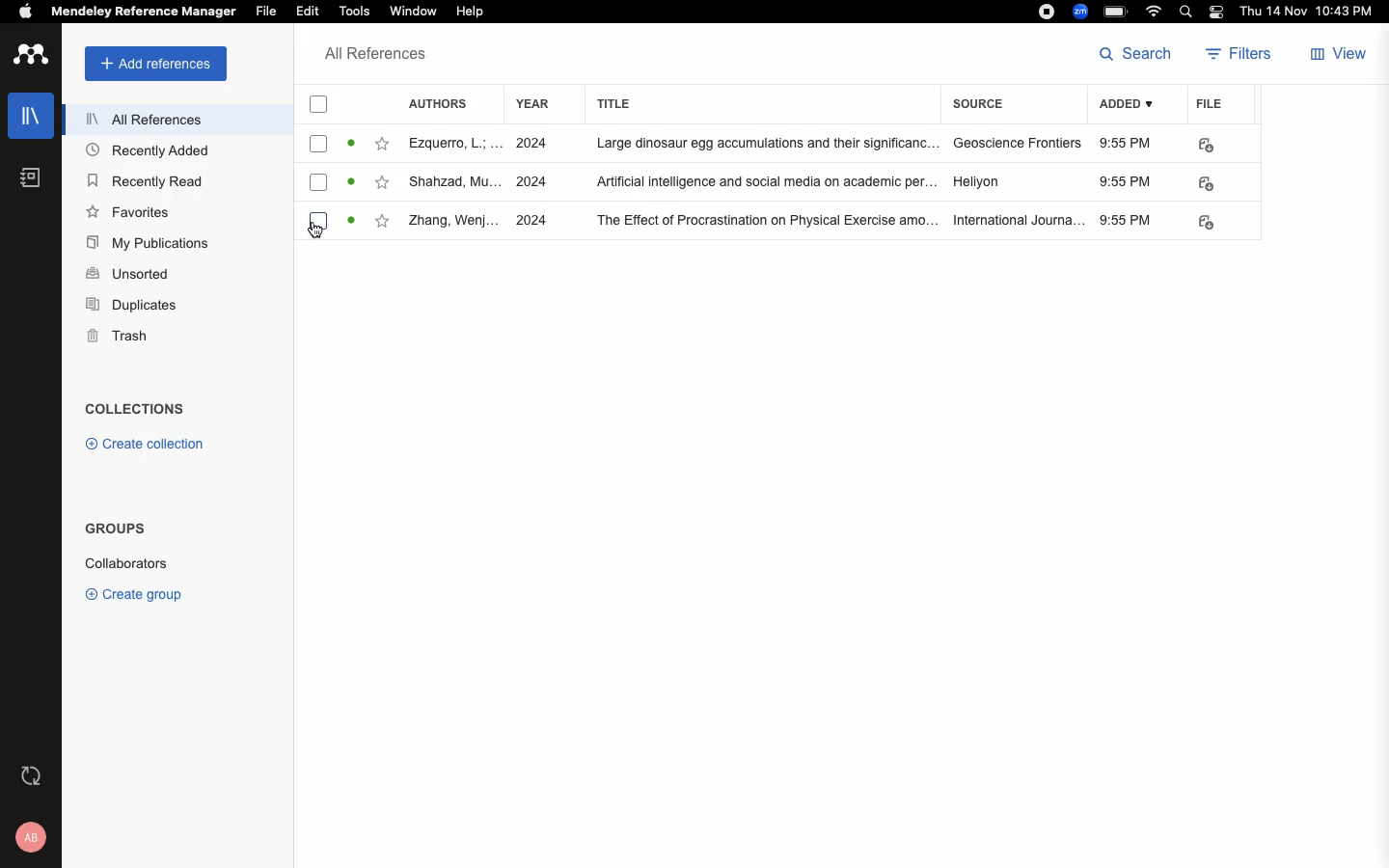  What do you see at coordinates (155, 64) in the screenshot?
I see `Add references` at bounding box center [155, 64].